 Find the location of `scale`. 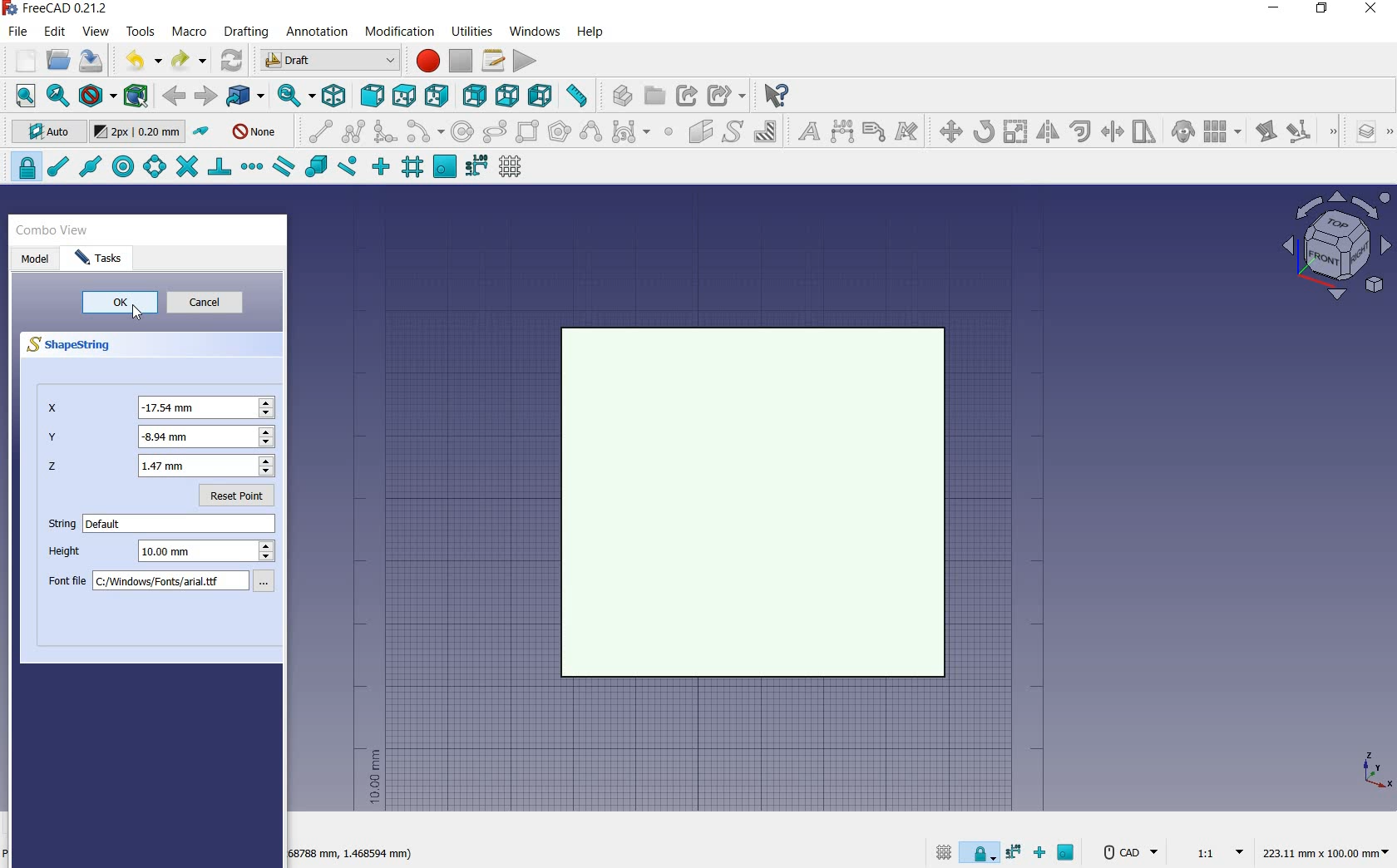

scale is located at coordinates (1015, 133).